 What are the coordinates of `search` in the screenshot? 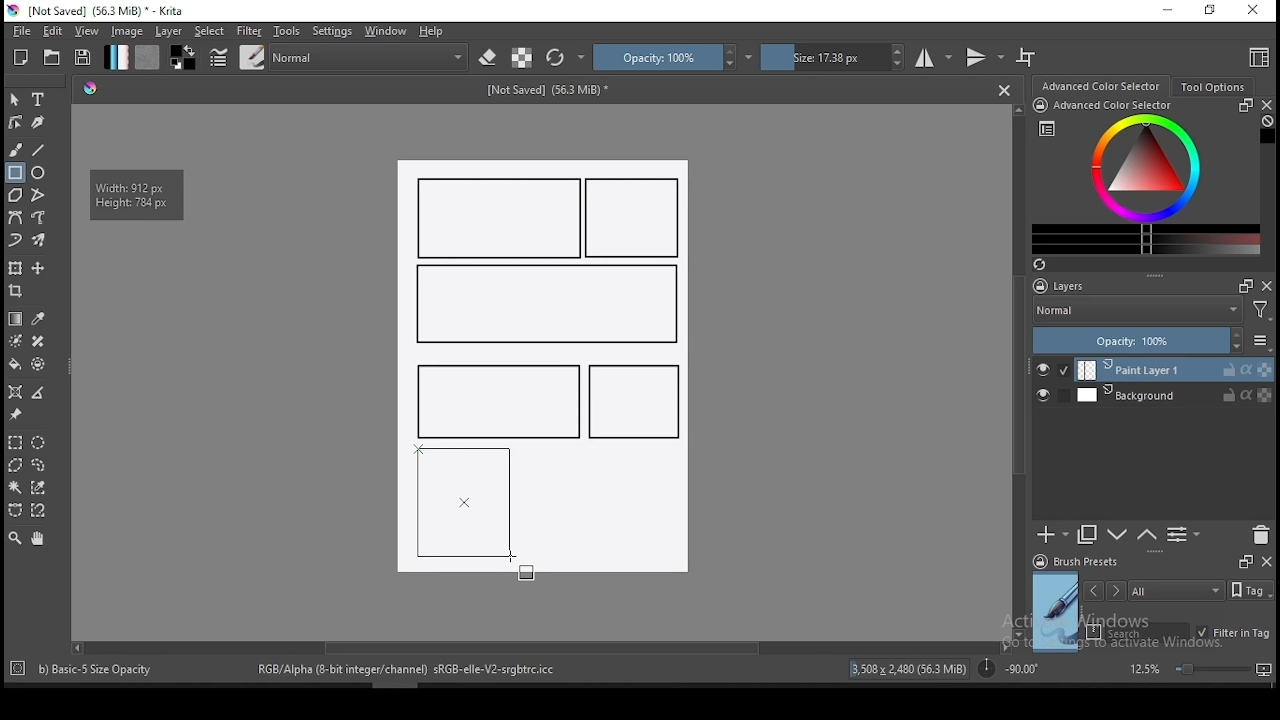 It's located at (1138, 632).